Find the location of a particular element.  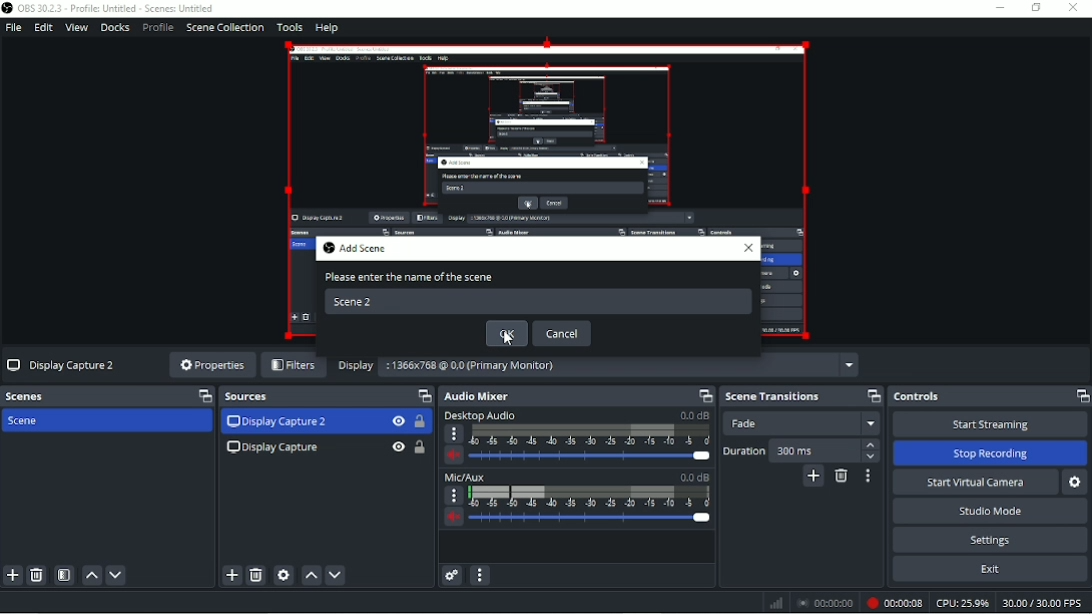

Desktop Audio is located at coordinates (481, 415).